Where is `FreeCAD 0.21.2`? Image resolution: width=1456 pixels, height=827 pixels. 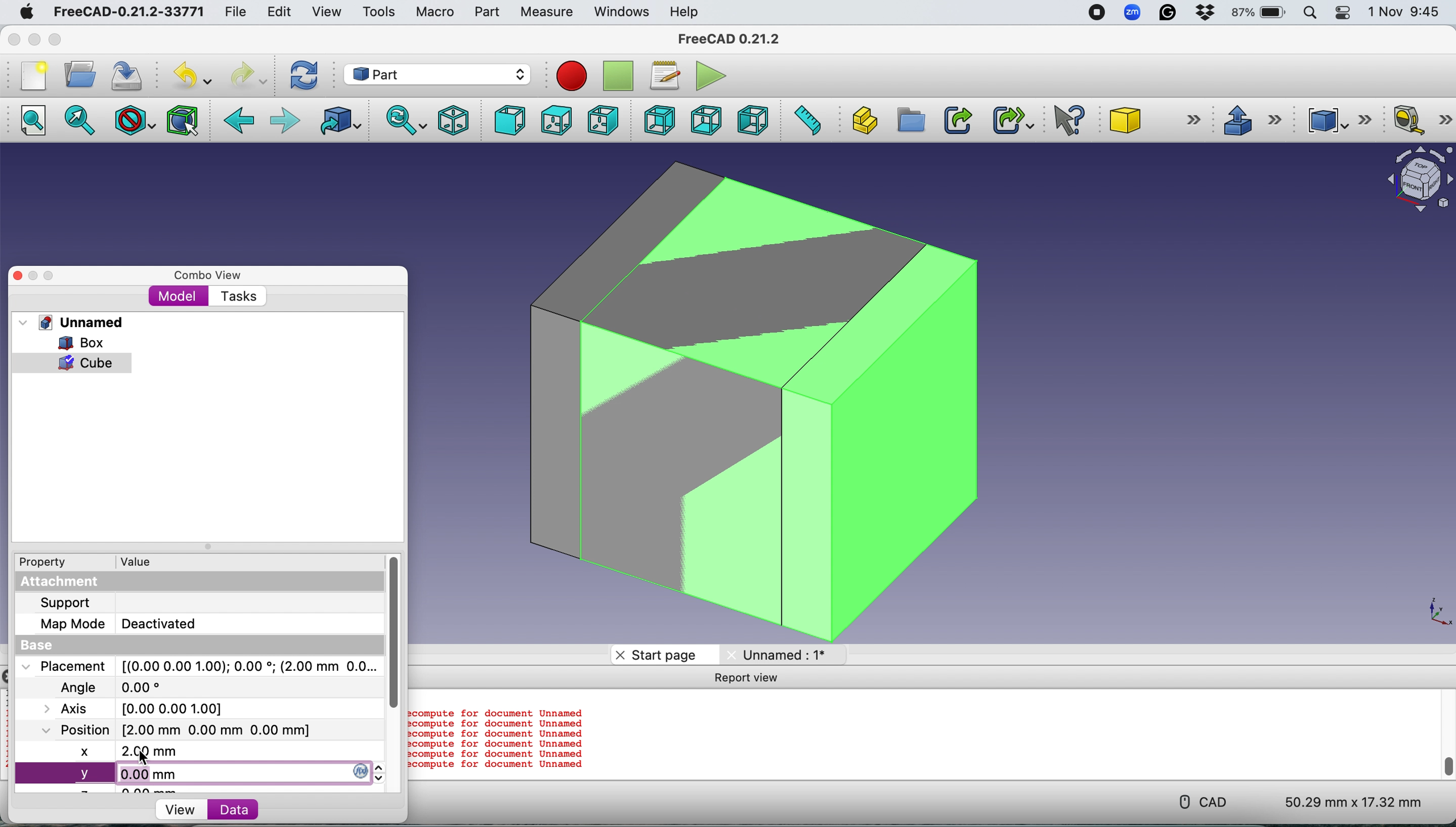
FreeCAD 0.21.2 is located at coordinates (731, 40).